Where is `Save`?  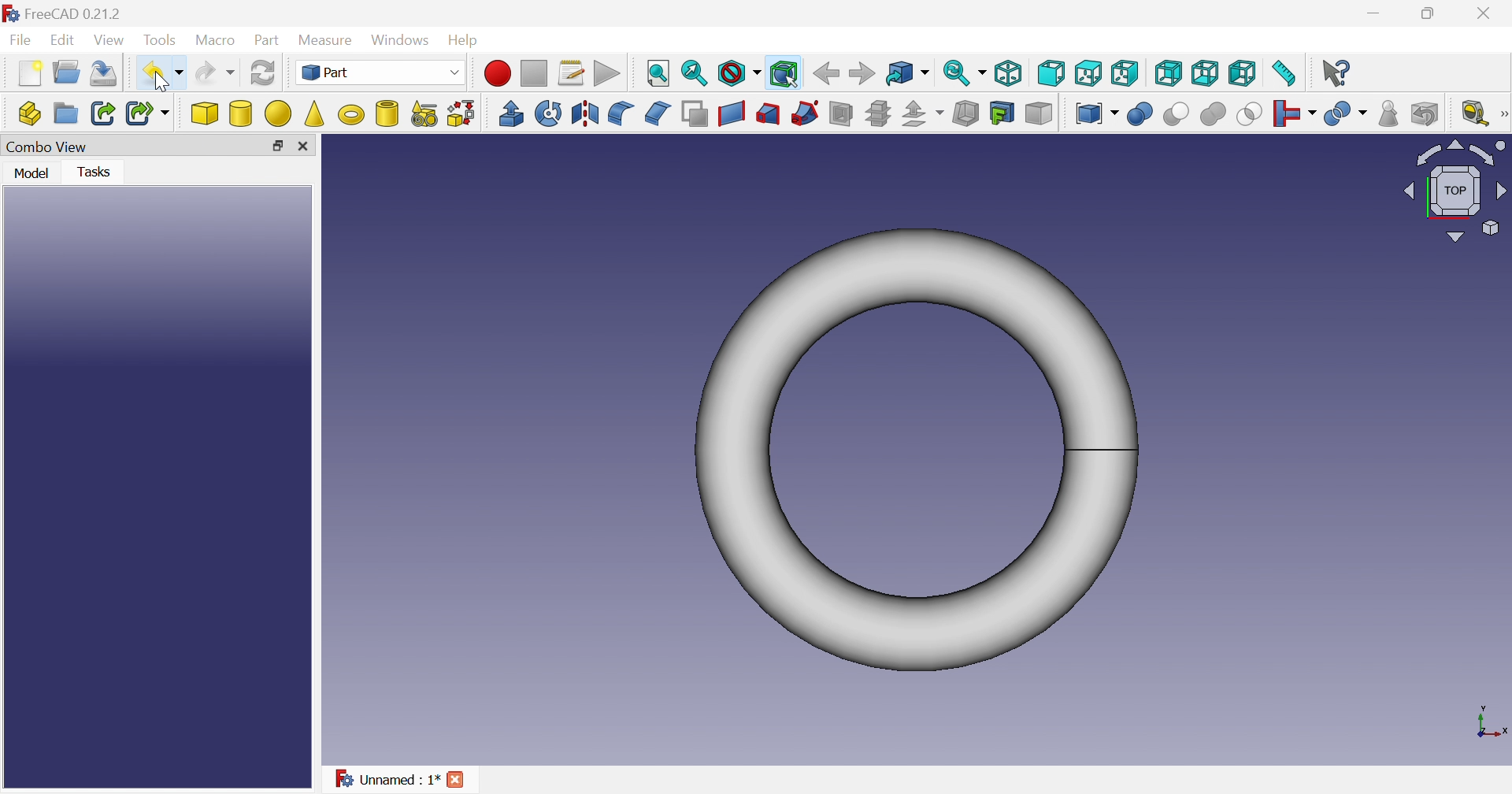 Save is located at coordinates (104, 73).